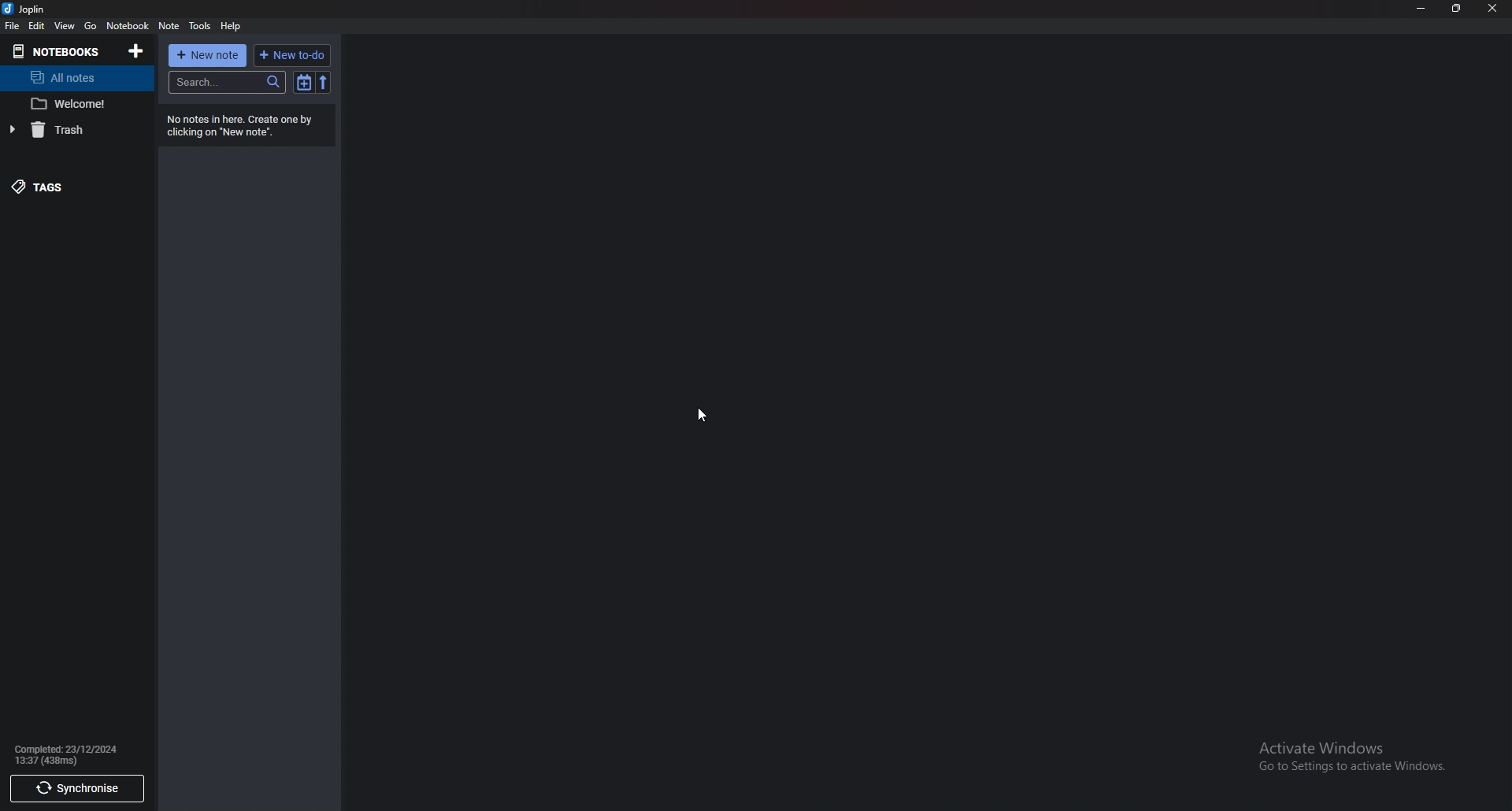  I want to click on New note, so click(207, 55).